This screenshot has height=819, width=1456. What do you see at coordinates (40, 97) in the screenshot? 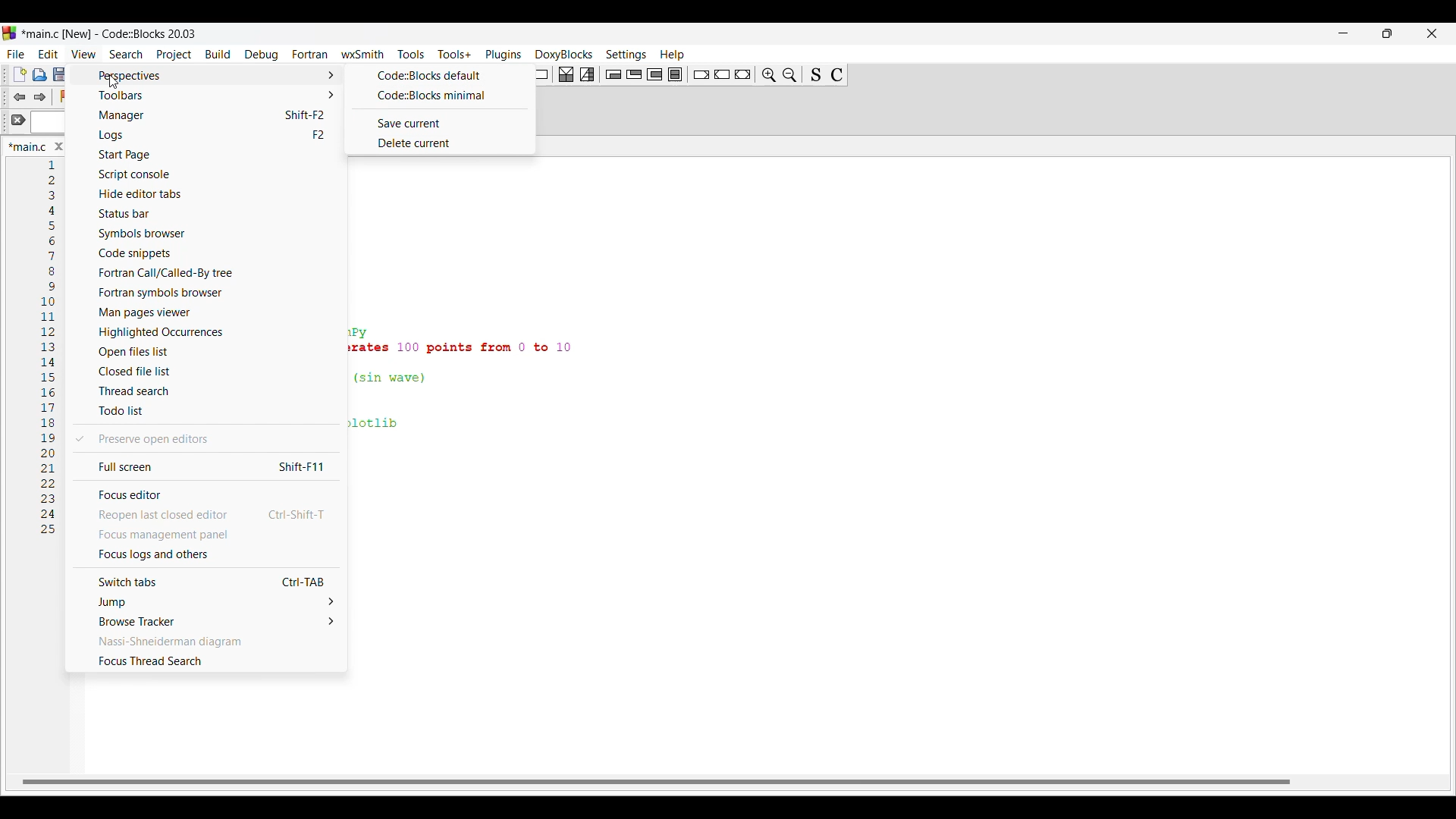
I see `Jump forward` at bounding box center [40, 97].